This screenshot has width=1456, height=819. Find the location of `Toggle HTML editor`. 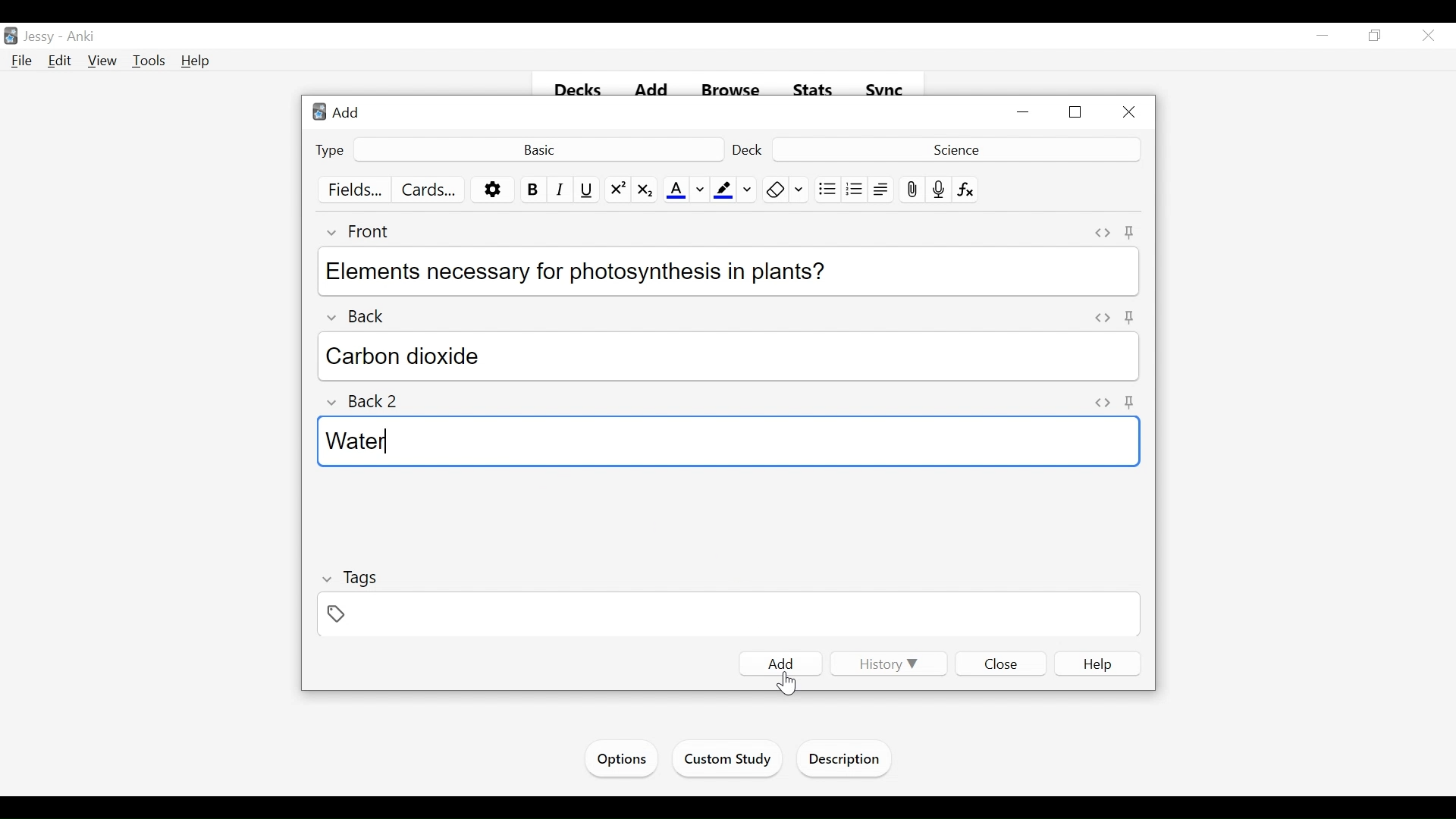

Toggle HTML editor is located at coordinates (1100, 318).